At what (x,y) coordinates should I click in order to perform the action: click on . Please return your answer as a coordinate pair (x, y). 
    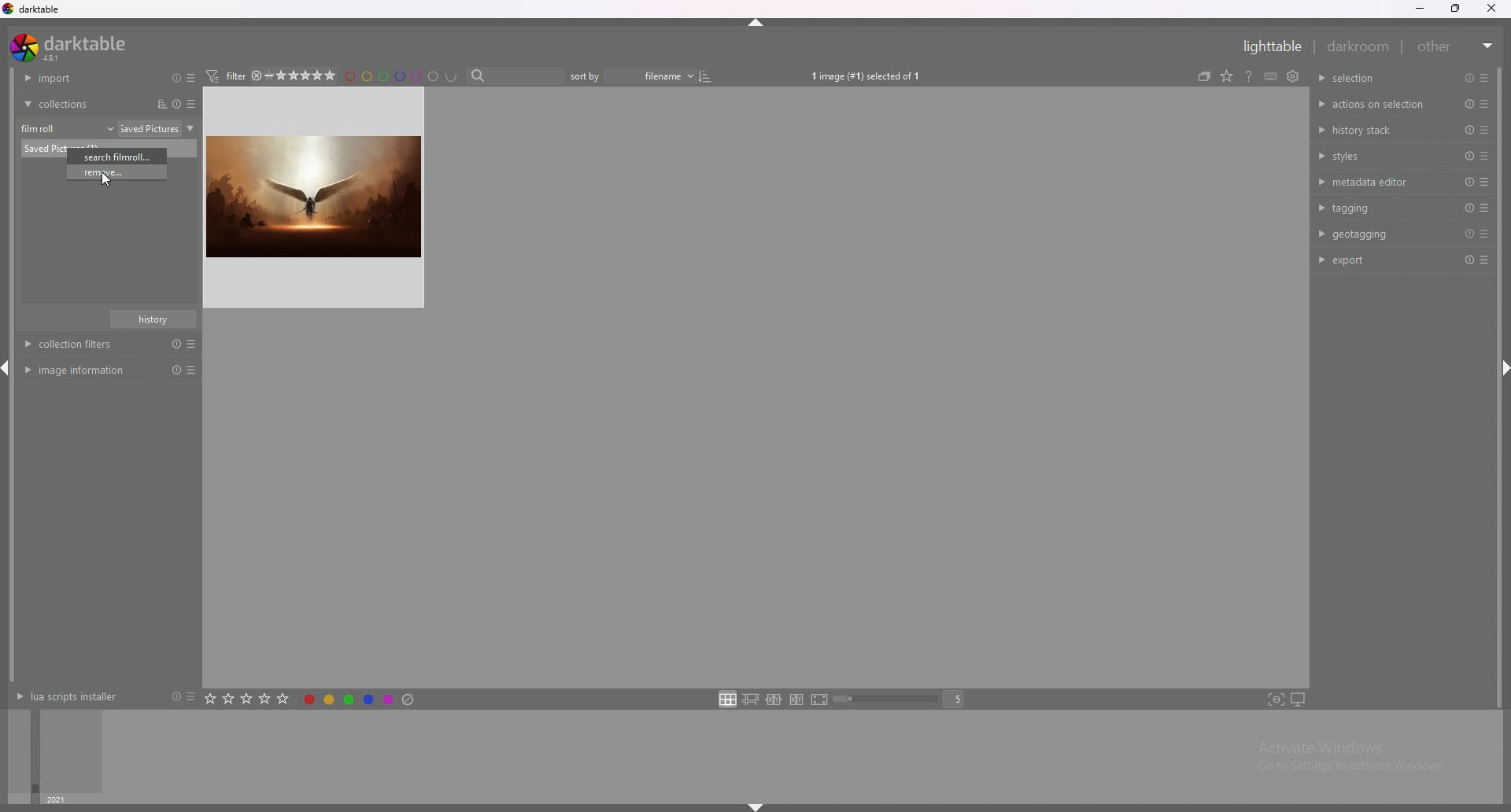
    Looking at the image, I should click on (1486, 209).